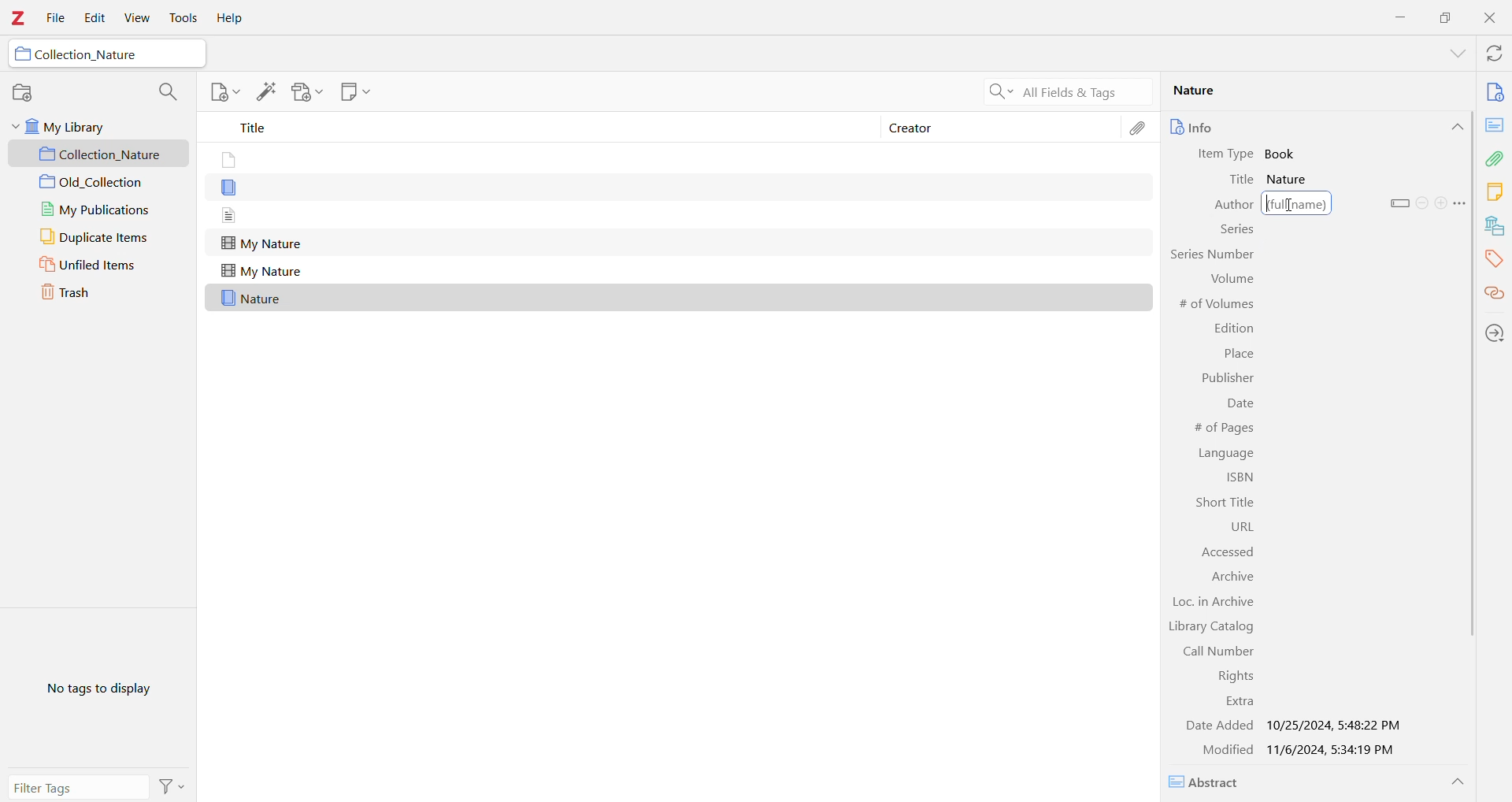 The height and width of the screenshot is (802, 1512). What do you see at coordinates (1240, 406) in the screenshot?
I see `Date` at bounding box center [1240, 406].